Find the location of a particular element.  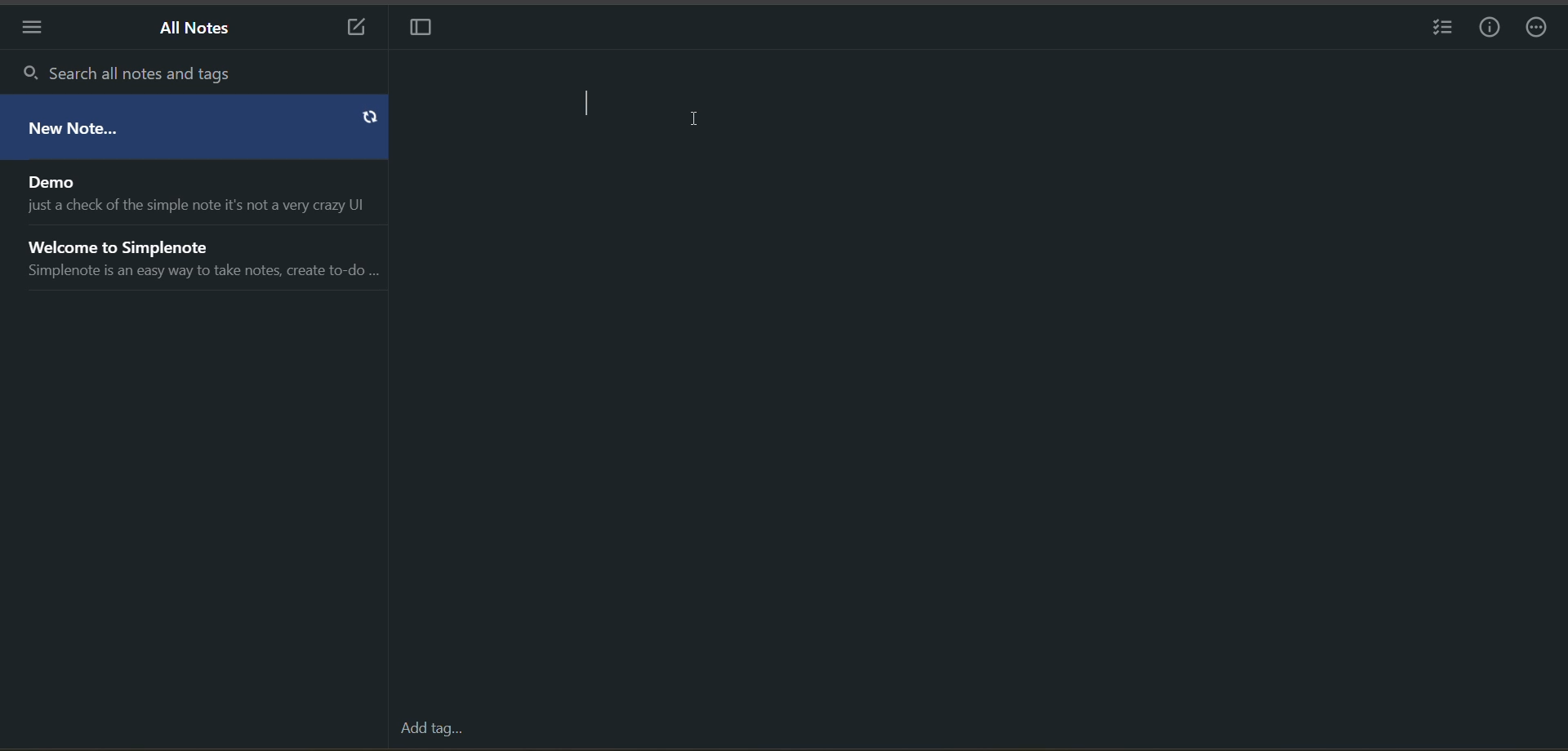

sync button is located at coordinates (369, 118).